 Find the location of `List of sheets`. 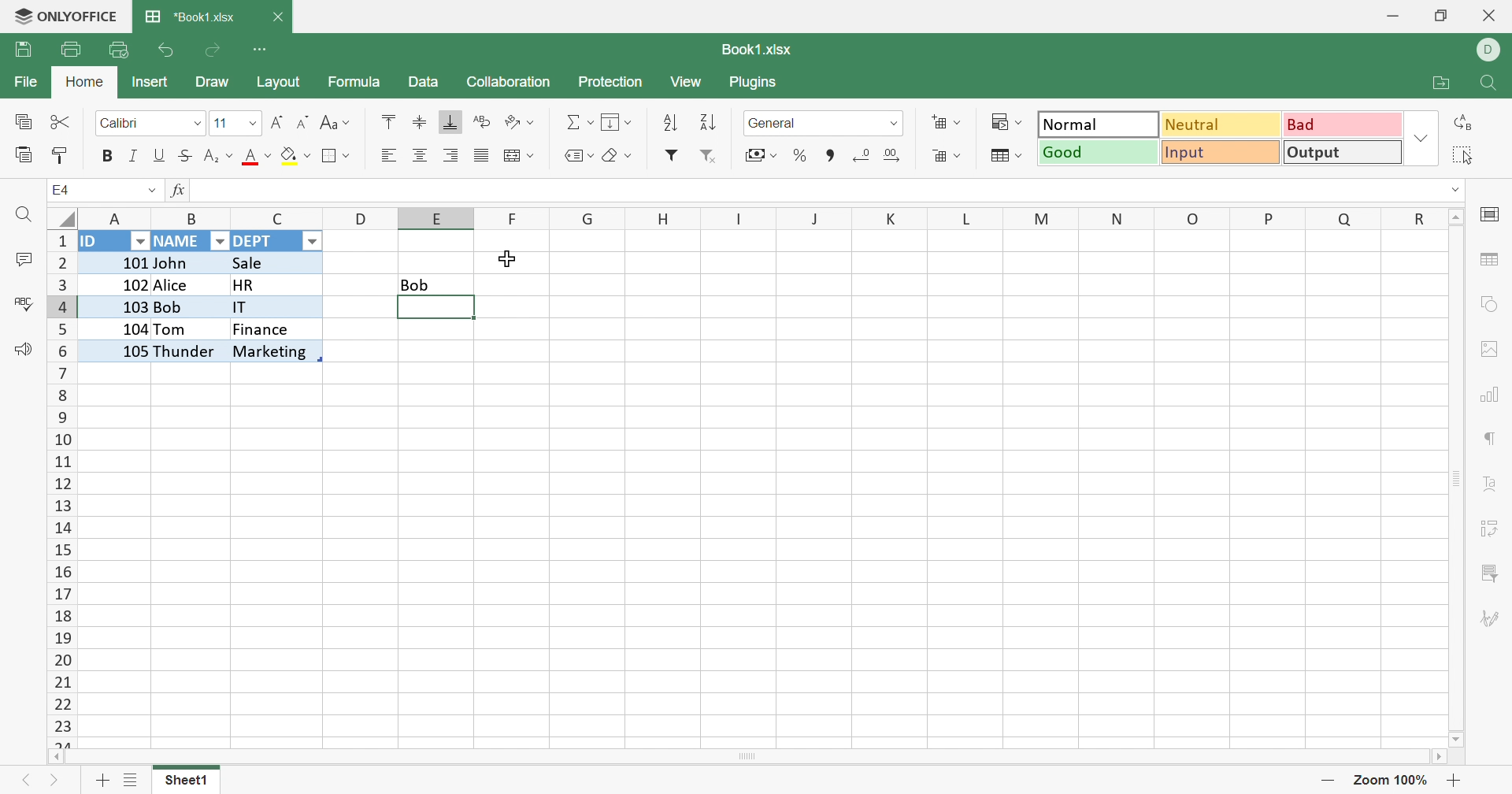

List of sheets is located at coordinates (135, 782).